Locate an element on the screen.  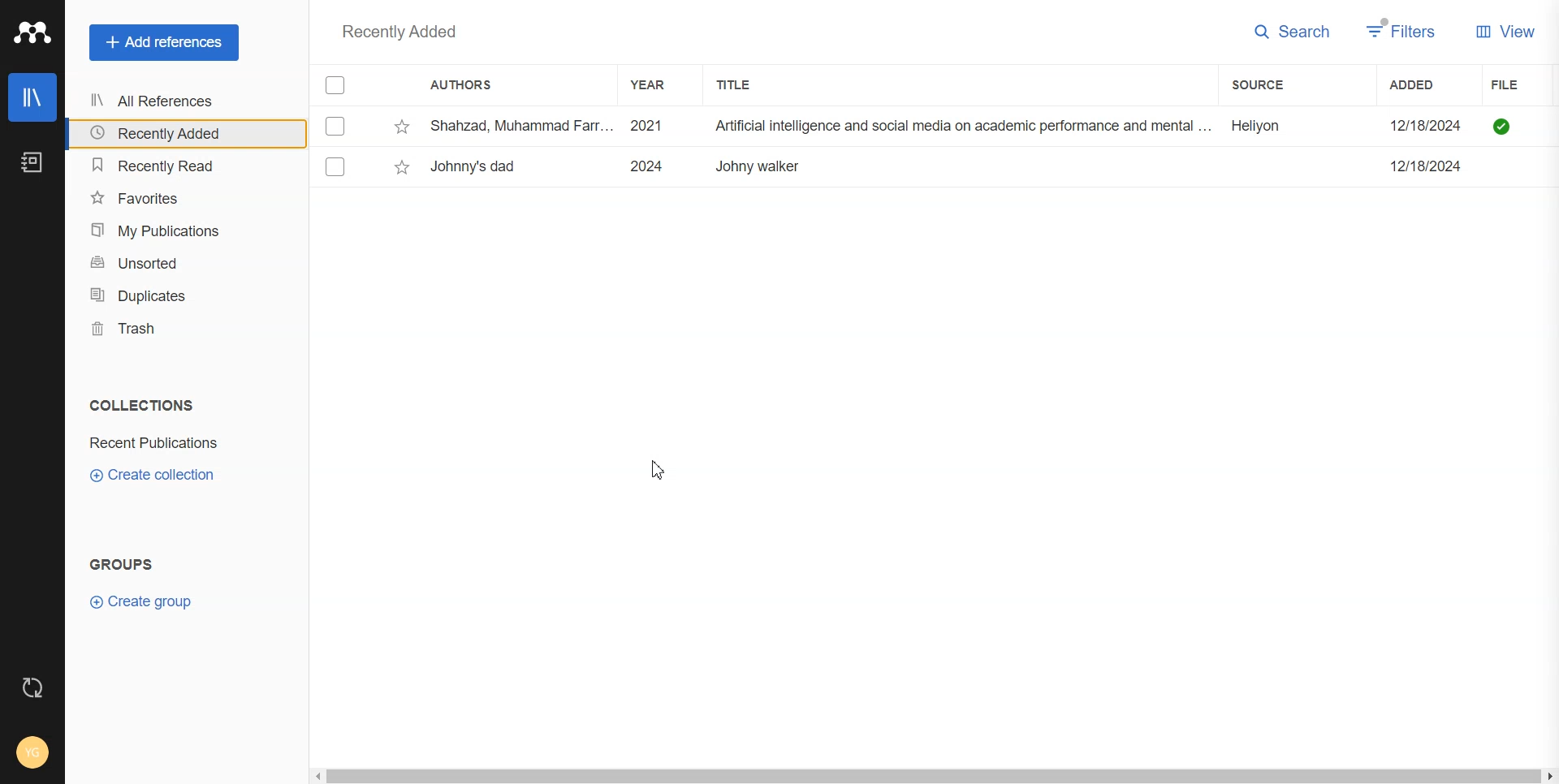
Year is located at coordinates (655, 84).